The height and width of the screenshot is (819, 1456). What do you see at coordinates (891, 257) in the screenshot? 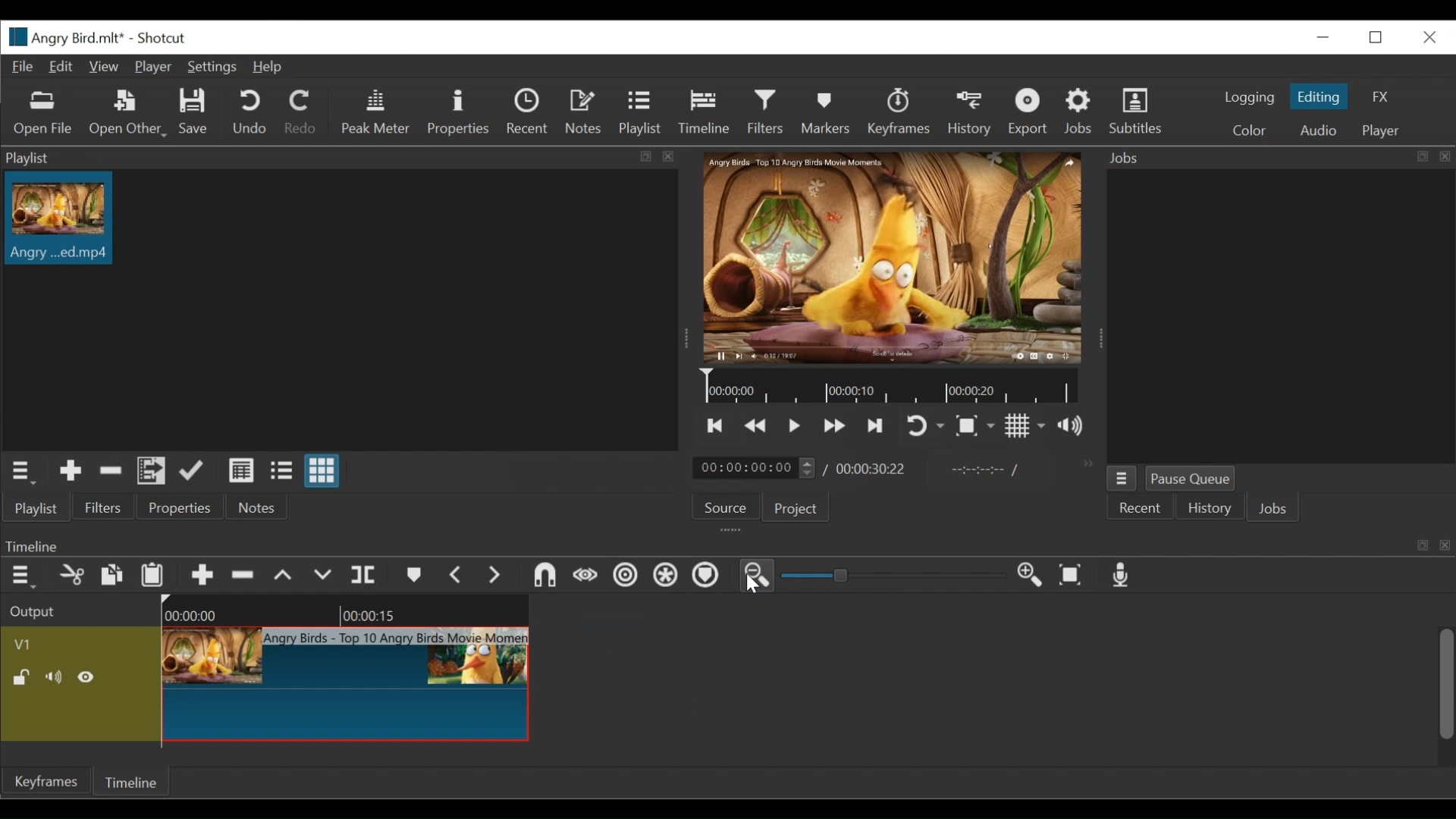
I see `Media Viewer` at bounding box center [891, 257].